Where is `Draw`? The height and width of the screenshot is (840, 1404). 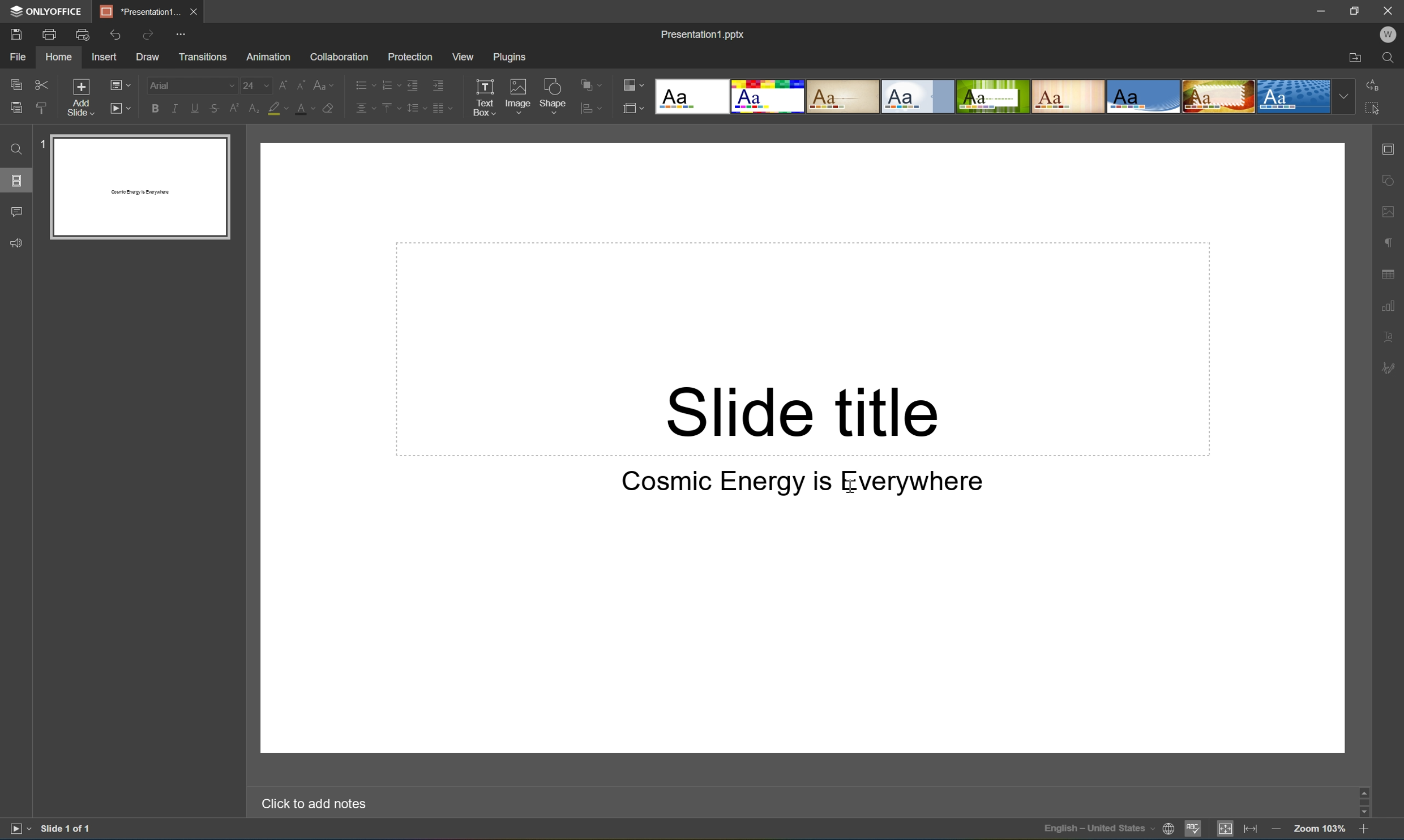 Draw is located at coordinates (148, 56).